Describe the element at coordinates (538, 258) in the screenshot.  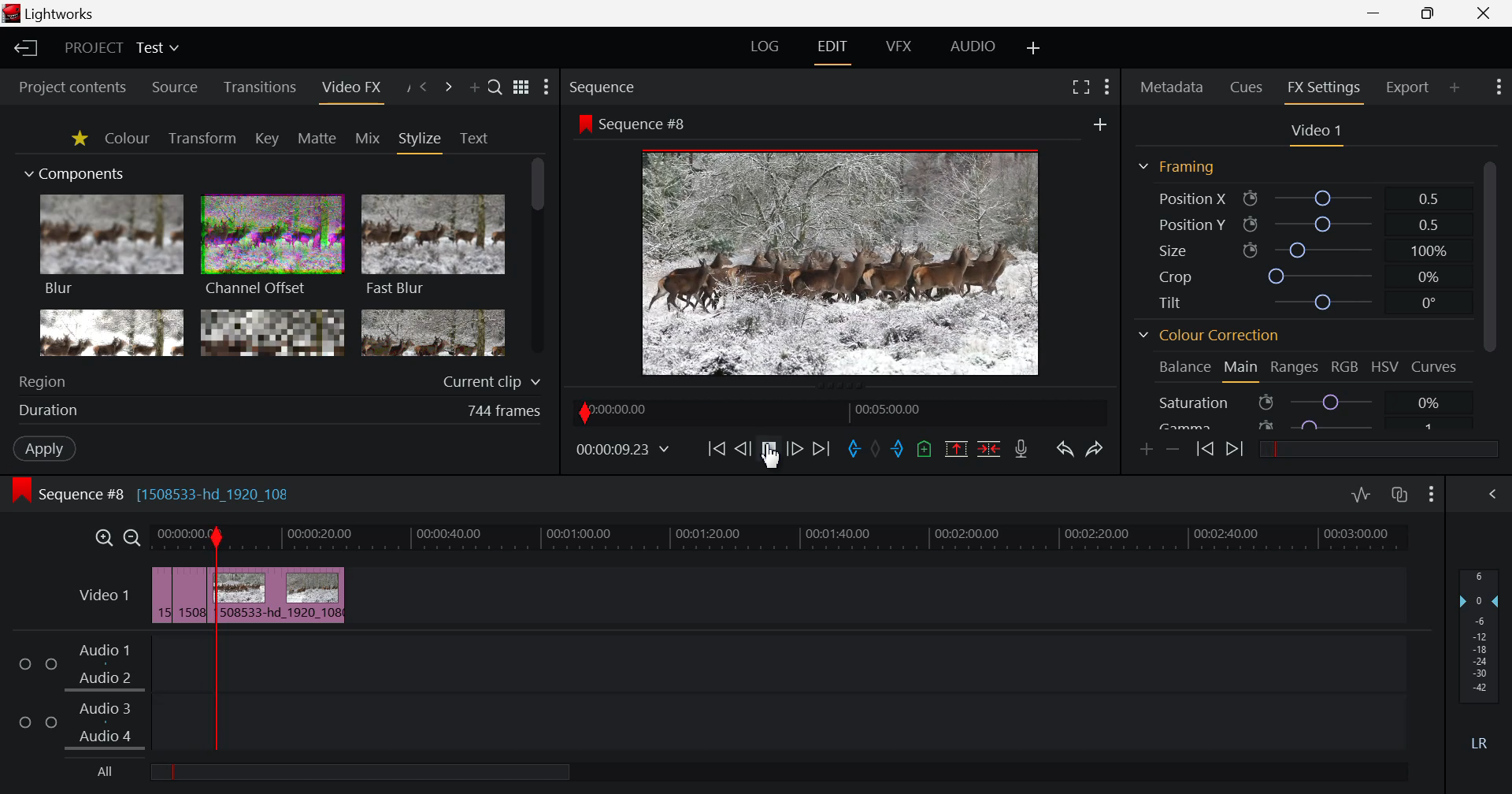
I see `Scroll Bar` at that location.